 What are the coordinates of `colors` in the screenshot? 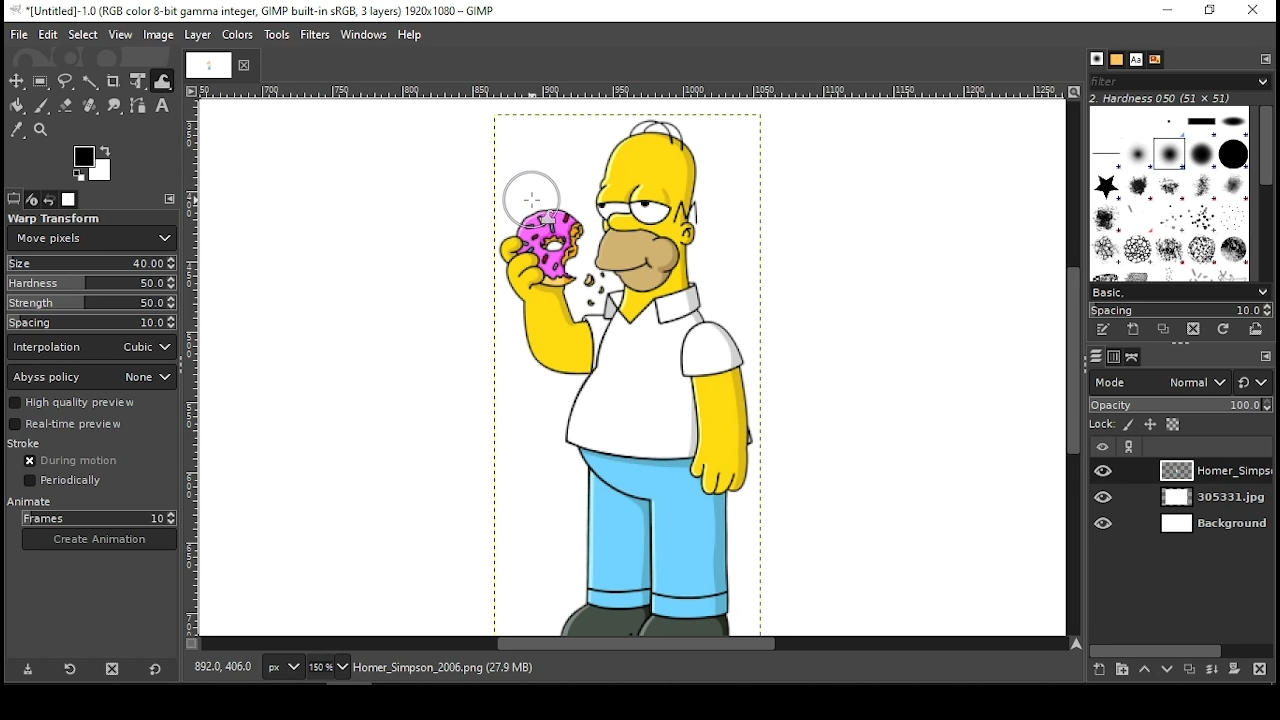 It's located at (240, 35).